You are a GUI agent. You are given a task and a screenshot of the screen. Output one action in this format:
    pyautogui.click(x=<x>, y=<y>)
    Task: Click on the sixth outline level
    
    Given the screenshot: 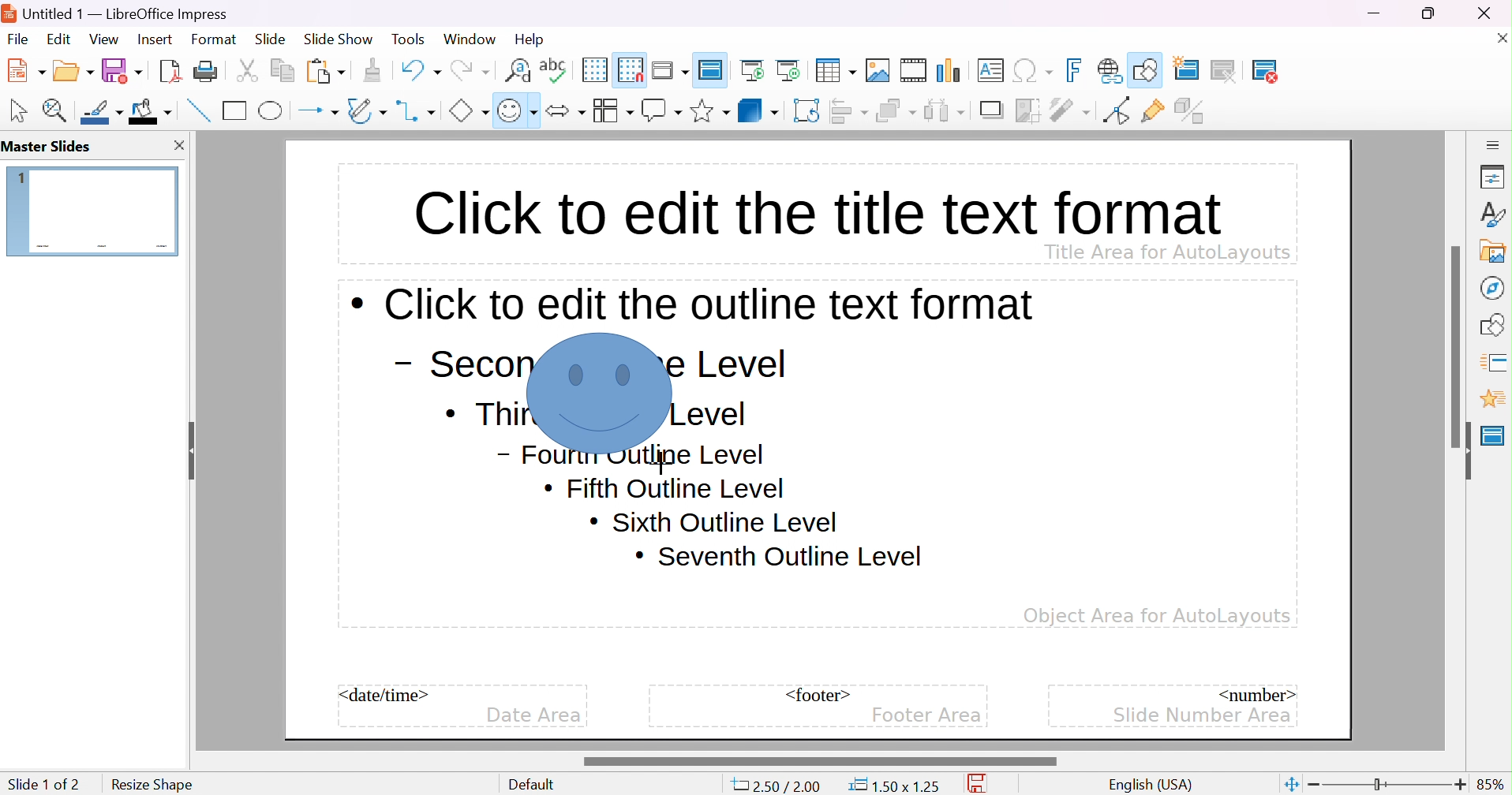 What is the action you would take?
    pyautogui.click(x=665, y=489)
    